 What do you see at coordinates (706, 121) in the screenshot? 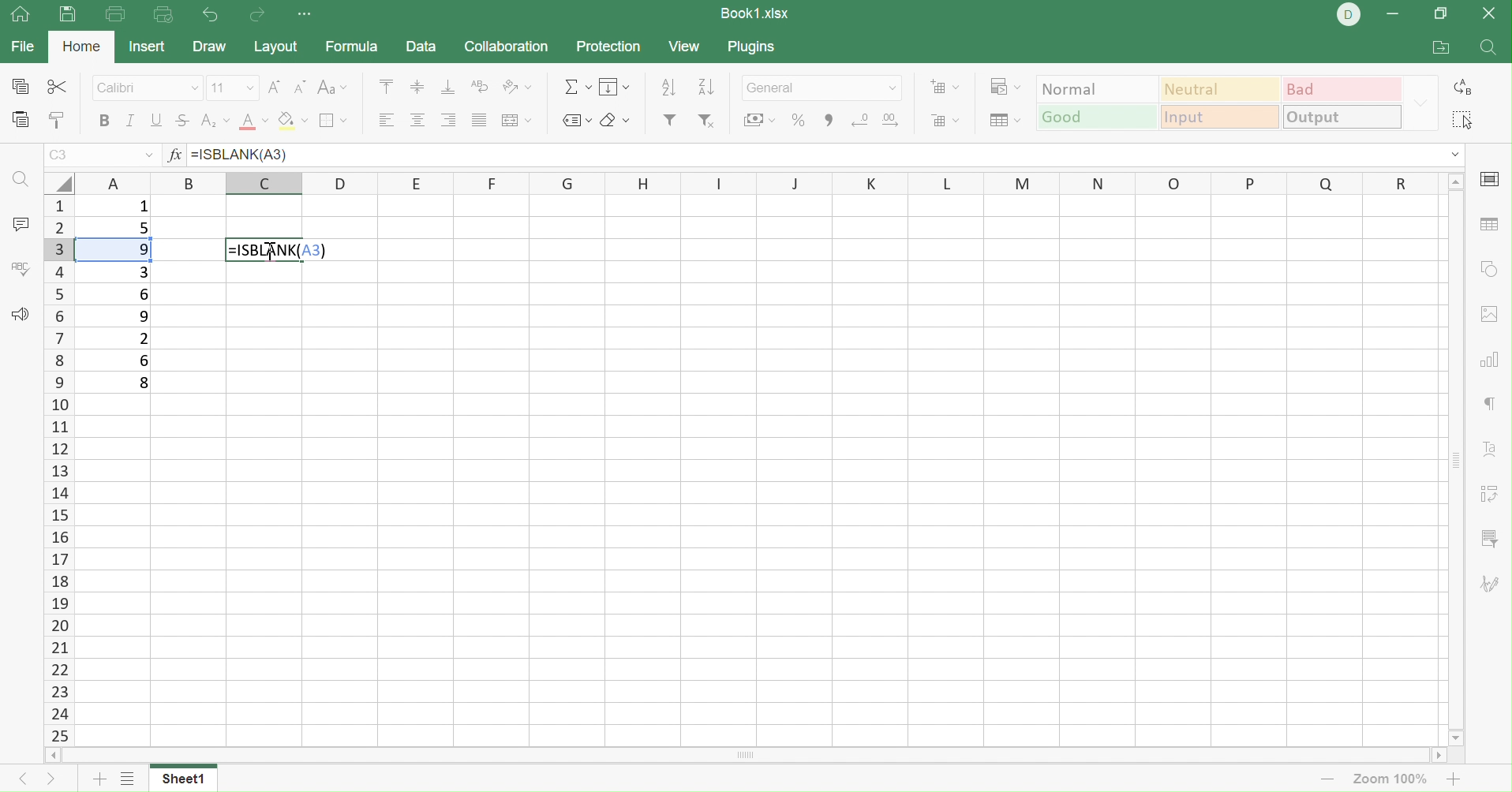
I see `Remove` at bounding box center [706, 121].